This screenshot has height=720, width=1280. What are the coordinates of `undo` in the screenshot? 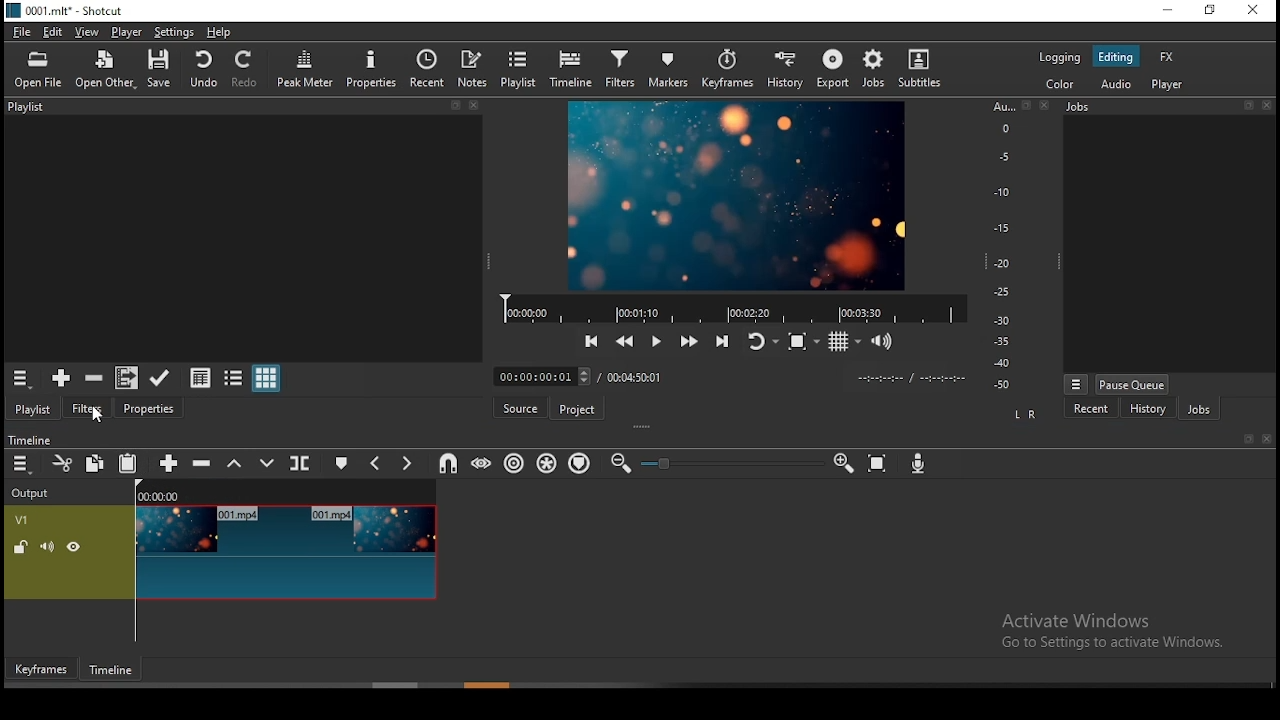 It's located at (203, 70).